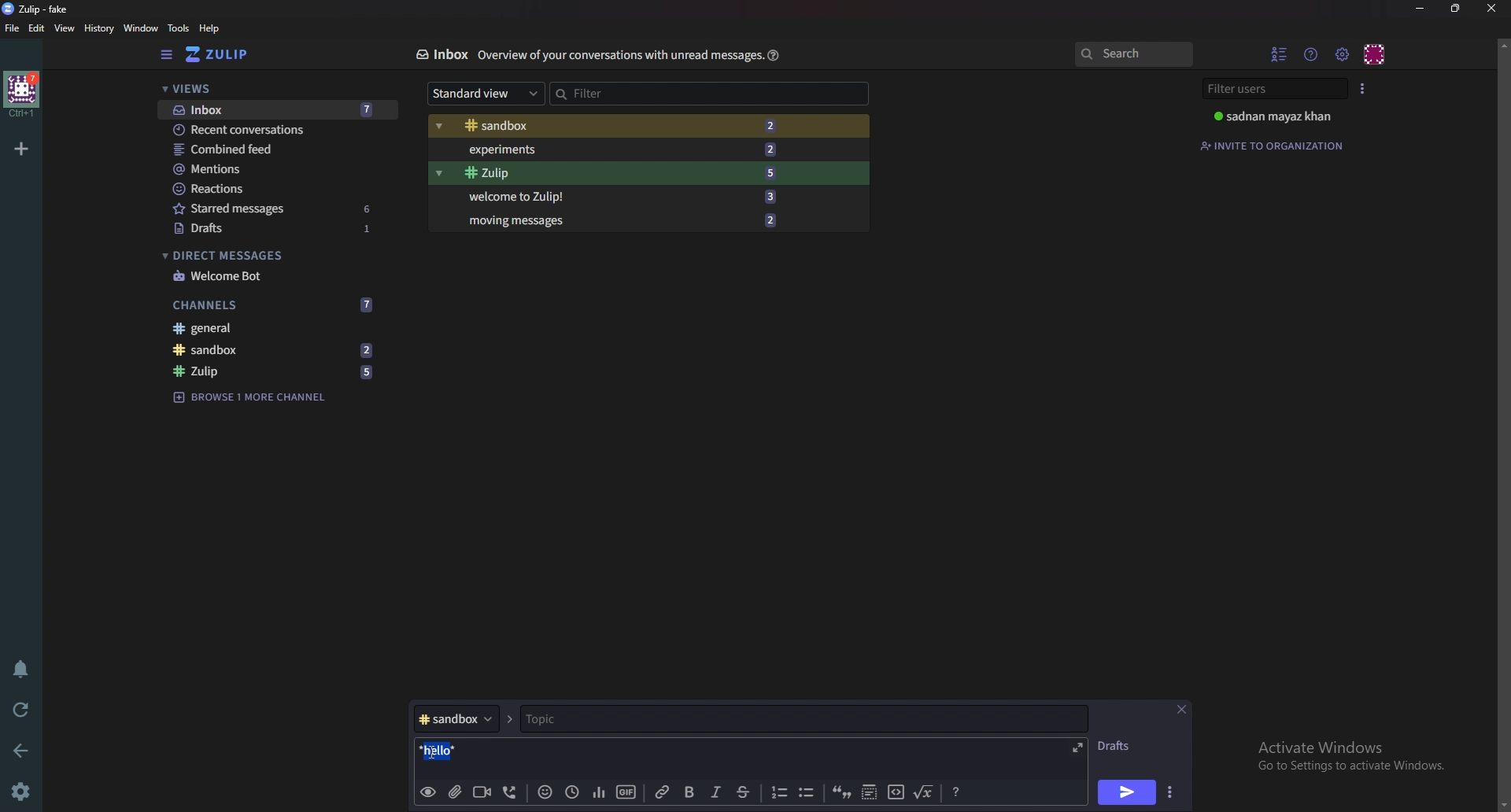  I want to click on Standard view, so click(485, 92).